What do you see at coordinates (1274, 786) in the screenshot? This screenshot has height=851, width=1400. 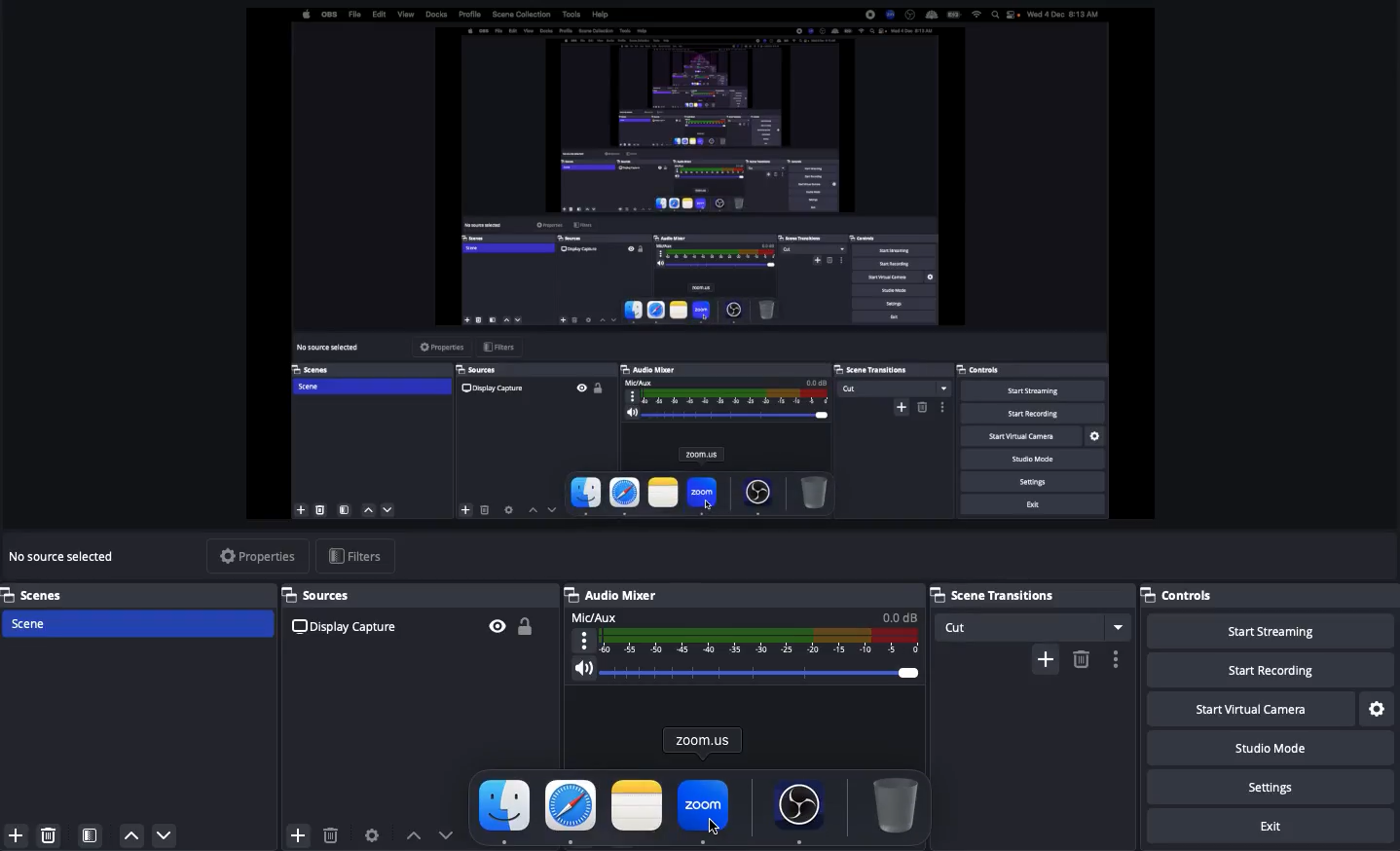 I see `Settings` at bounding box center [1274, 786].